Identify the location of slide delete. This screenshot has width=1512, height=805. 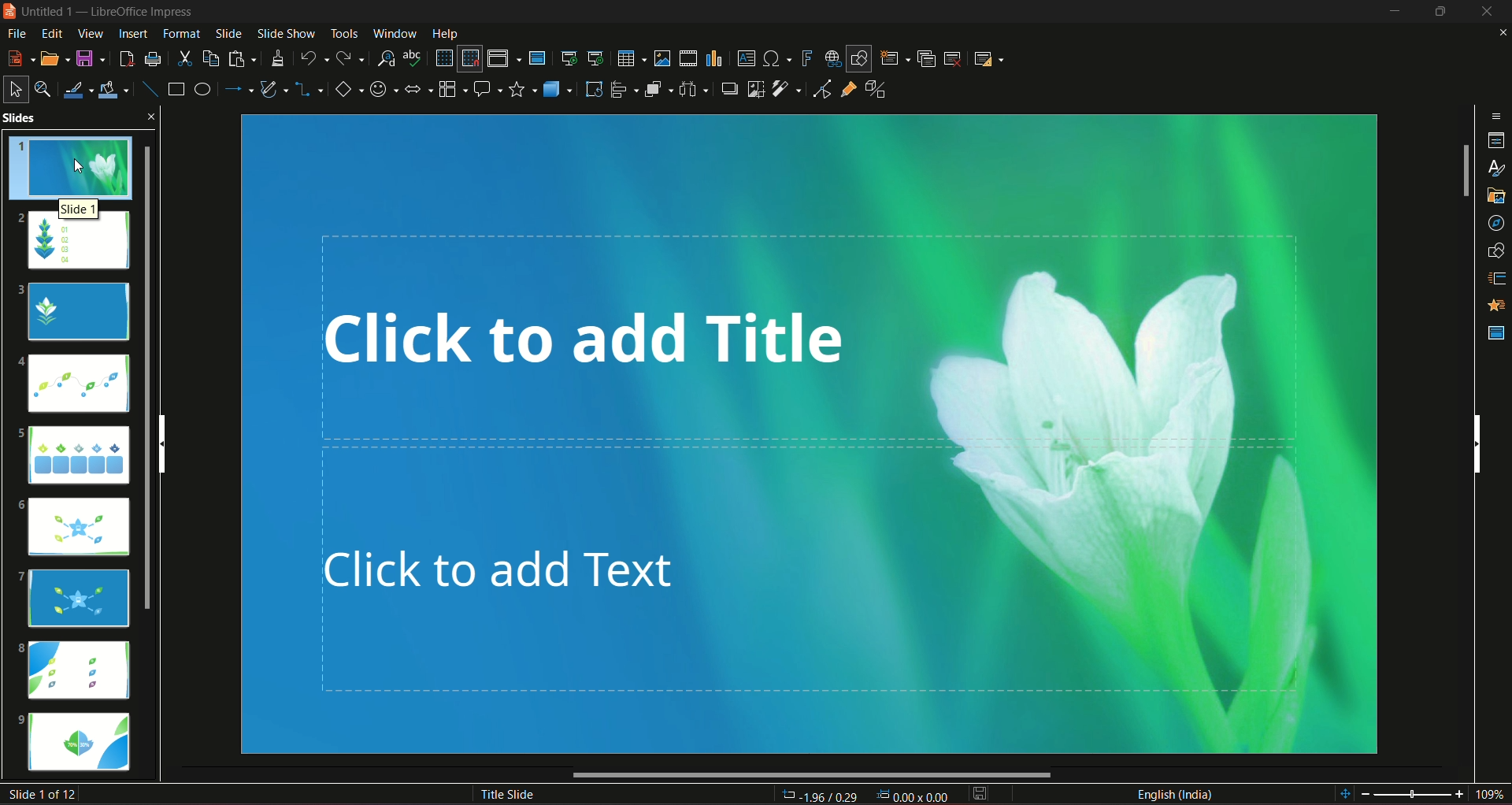
(954, 57).